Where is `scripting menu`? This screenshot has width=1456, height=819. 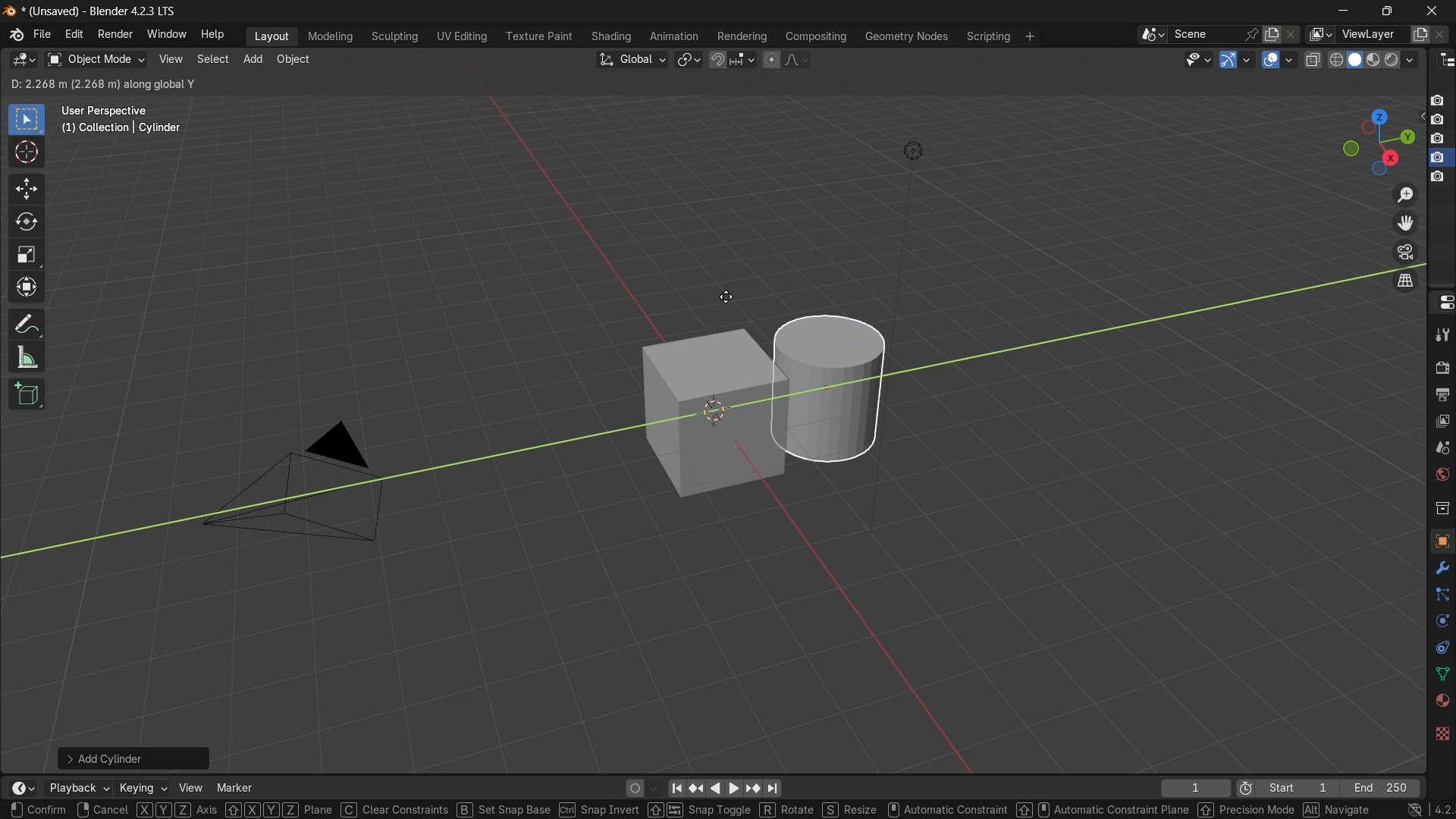
scripting menu is located at coordinates (987, 37).